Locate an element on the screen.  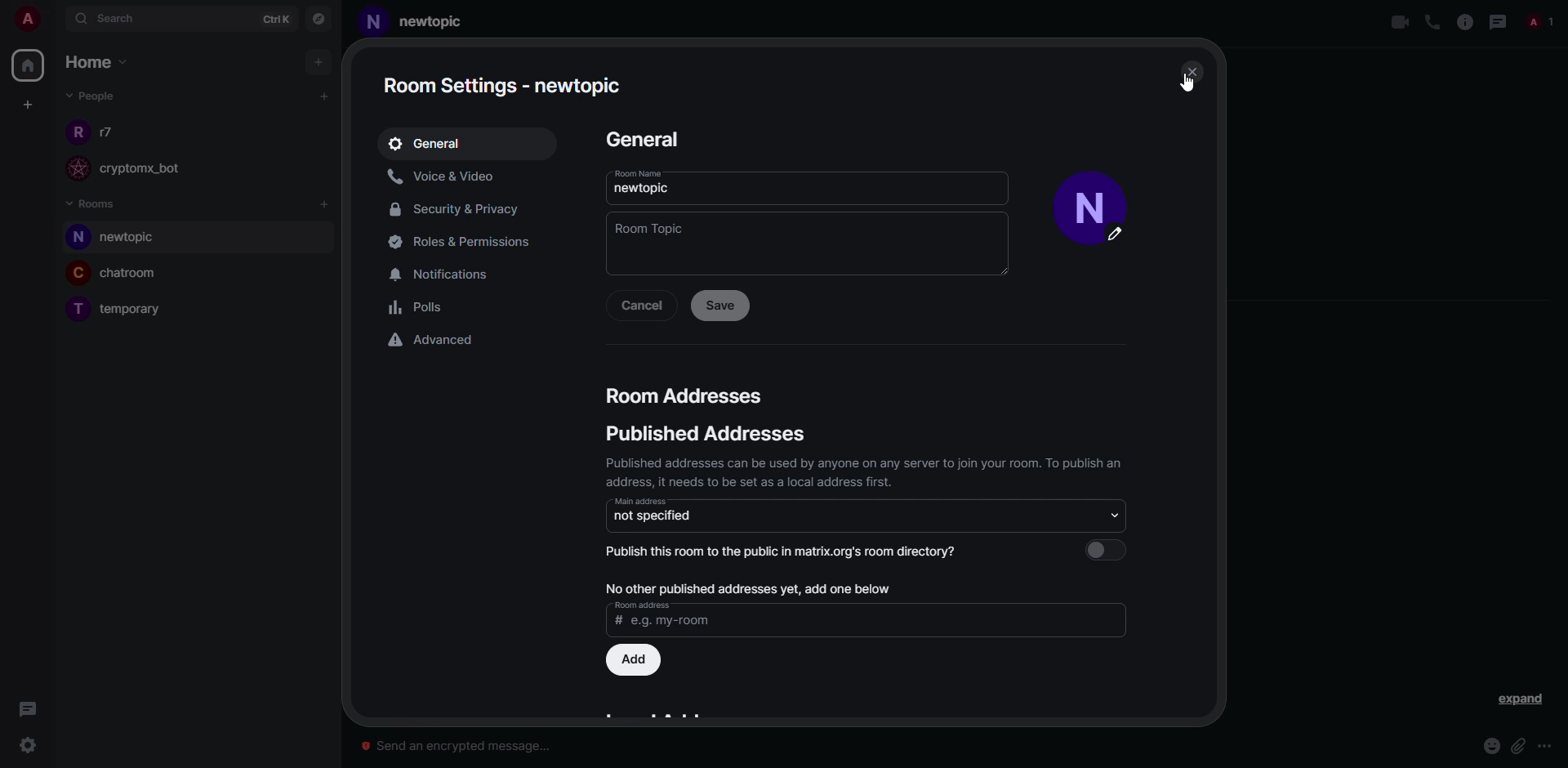
video call is located at coordinates (1398, 22).